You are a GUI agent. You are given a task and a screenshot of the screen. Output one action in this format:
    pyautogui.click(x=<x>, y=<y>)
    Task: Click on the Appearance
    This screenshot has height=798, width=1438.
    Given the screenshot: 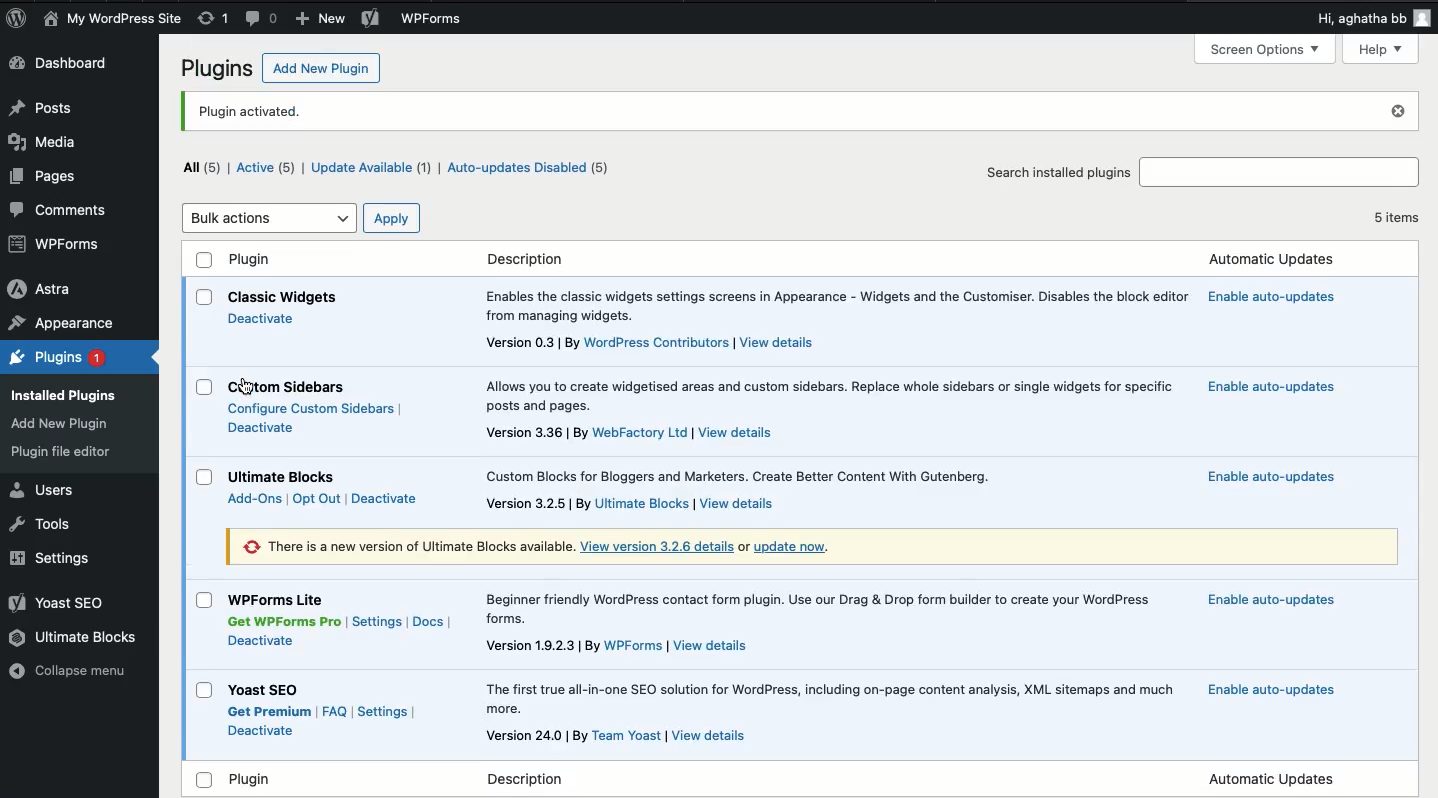 What is the action you would take?
    pyautogui.click(x=63, y=324)
    